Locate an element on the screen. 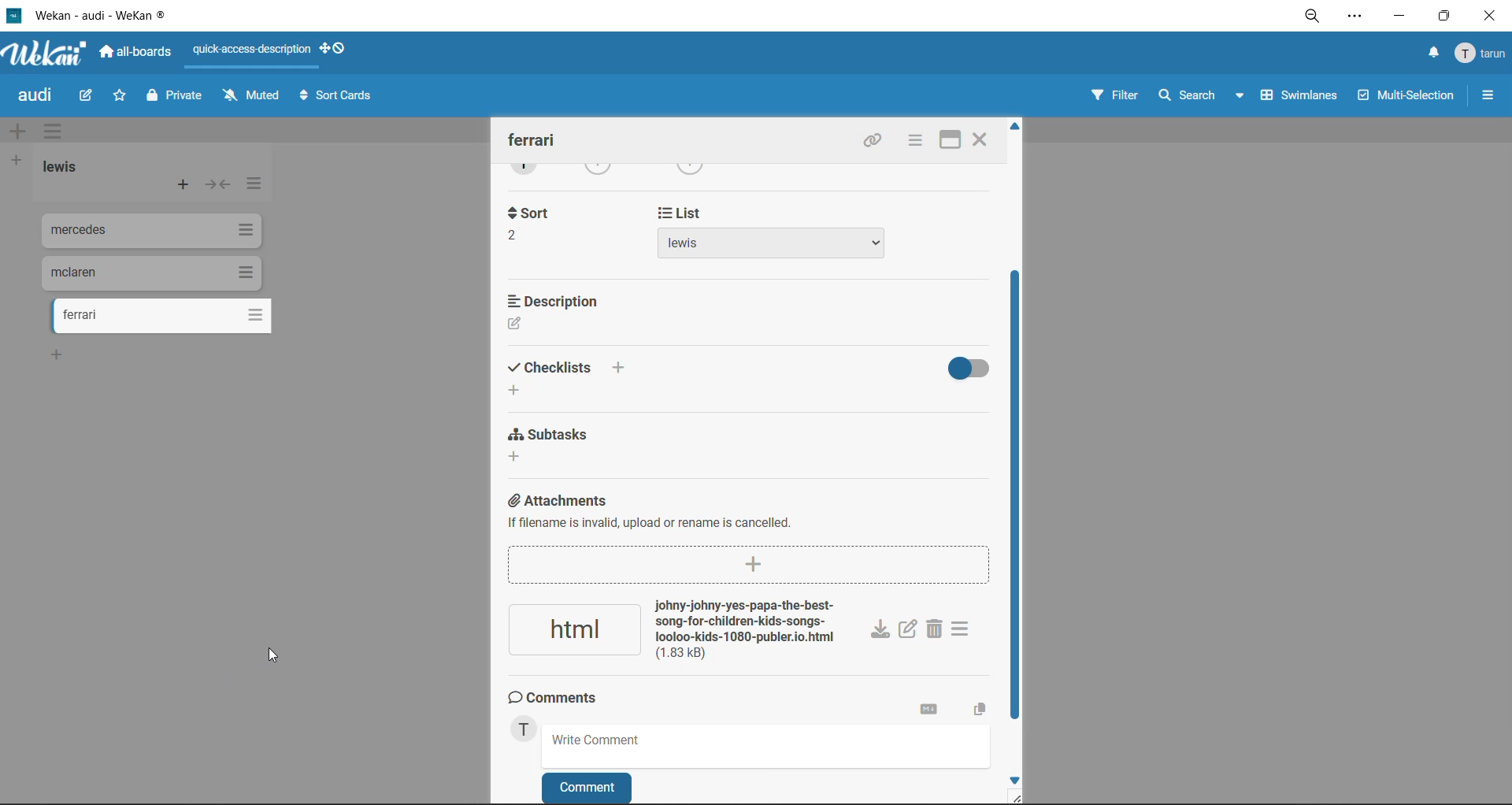  maximize is located at coordinates (947, 142).